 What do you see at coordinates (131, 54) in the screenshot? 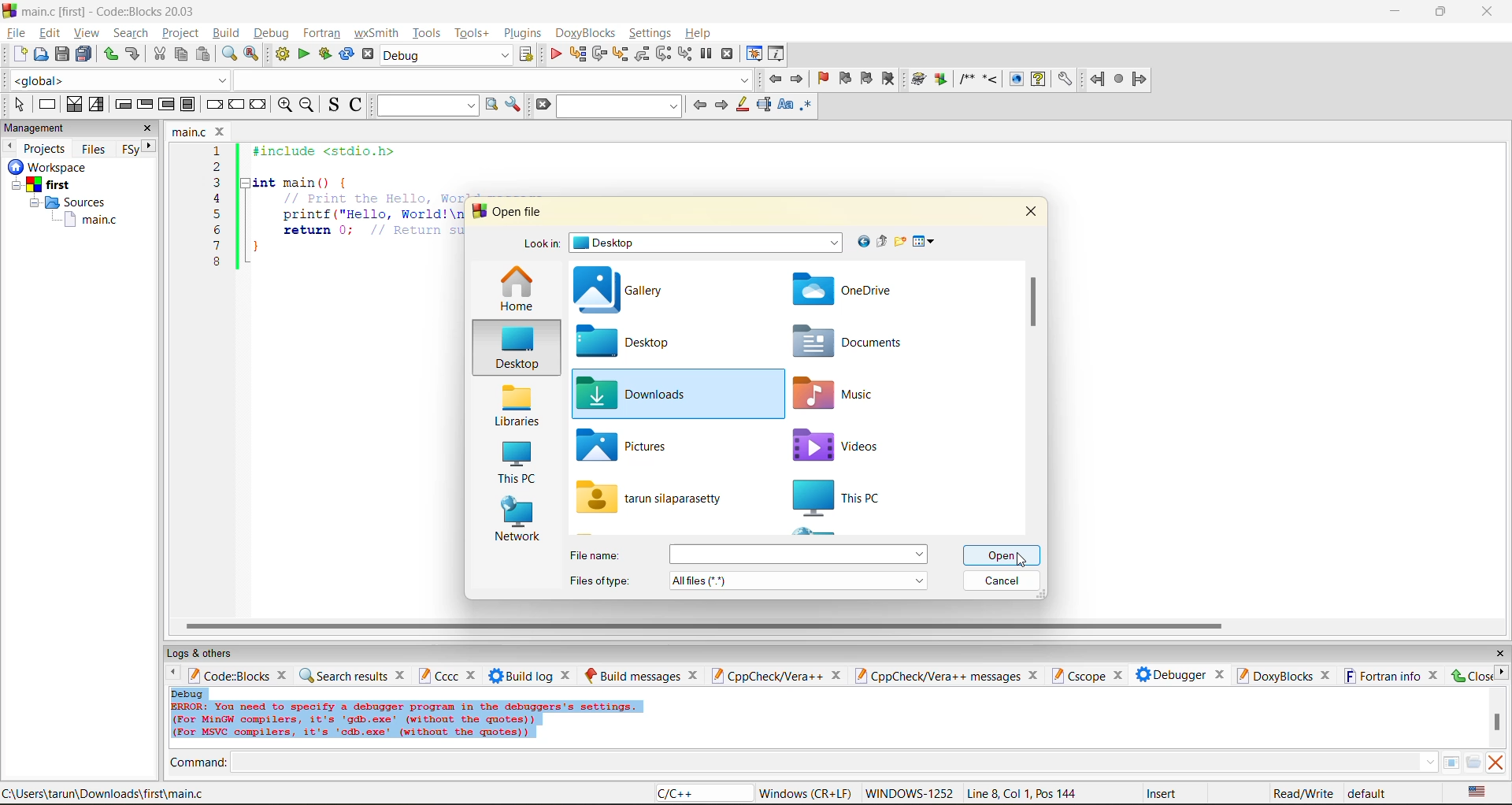
I see `undo` at bounding box center [131, 54].